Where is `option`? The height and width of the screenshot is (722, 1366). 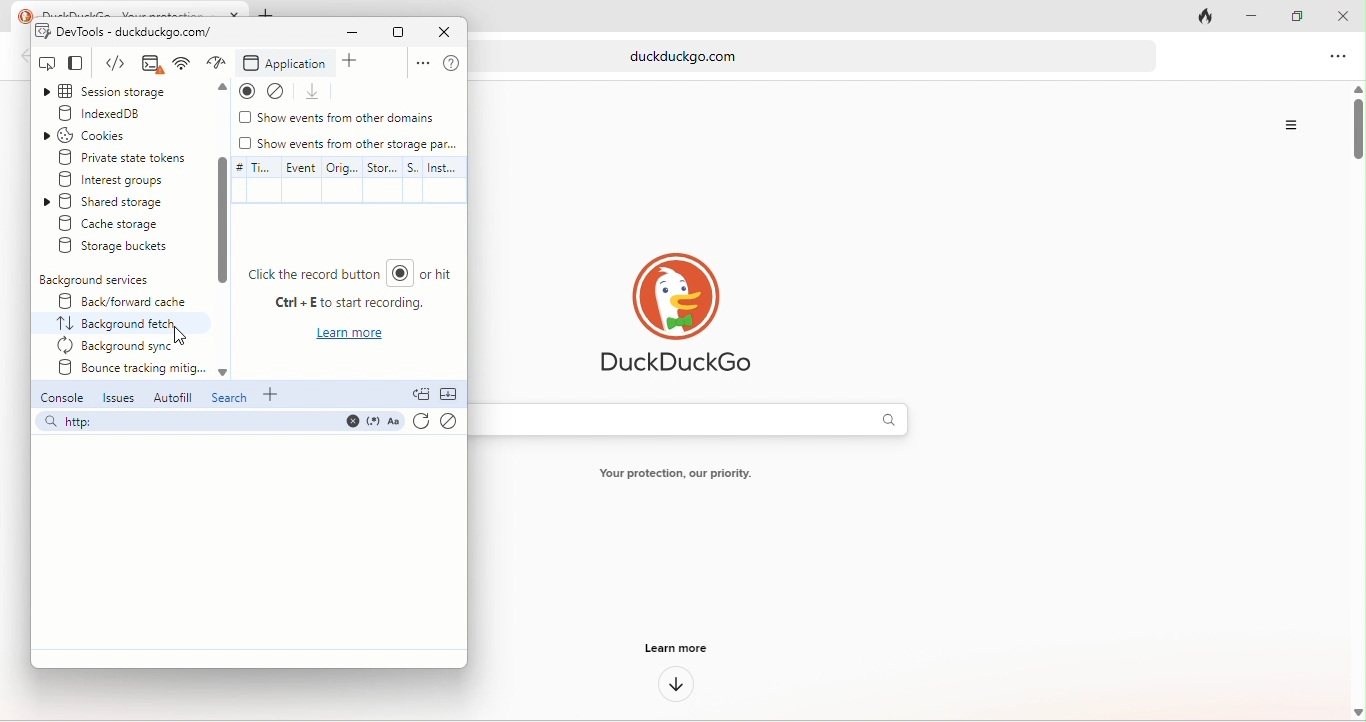 option is located at coordinates (419, 65).